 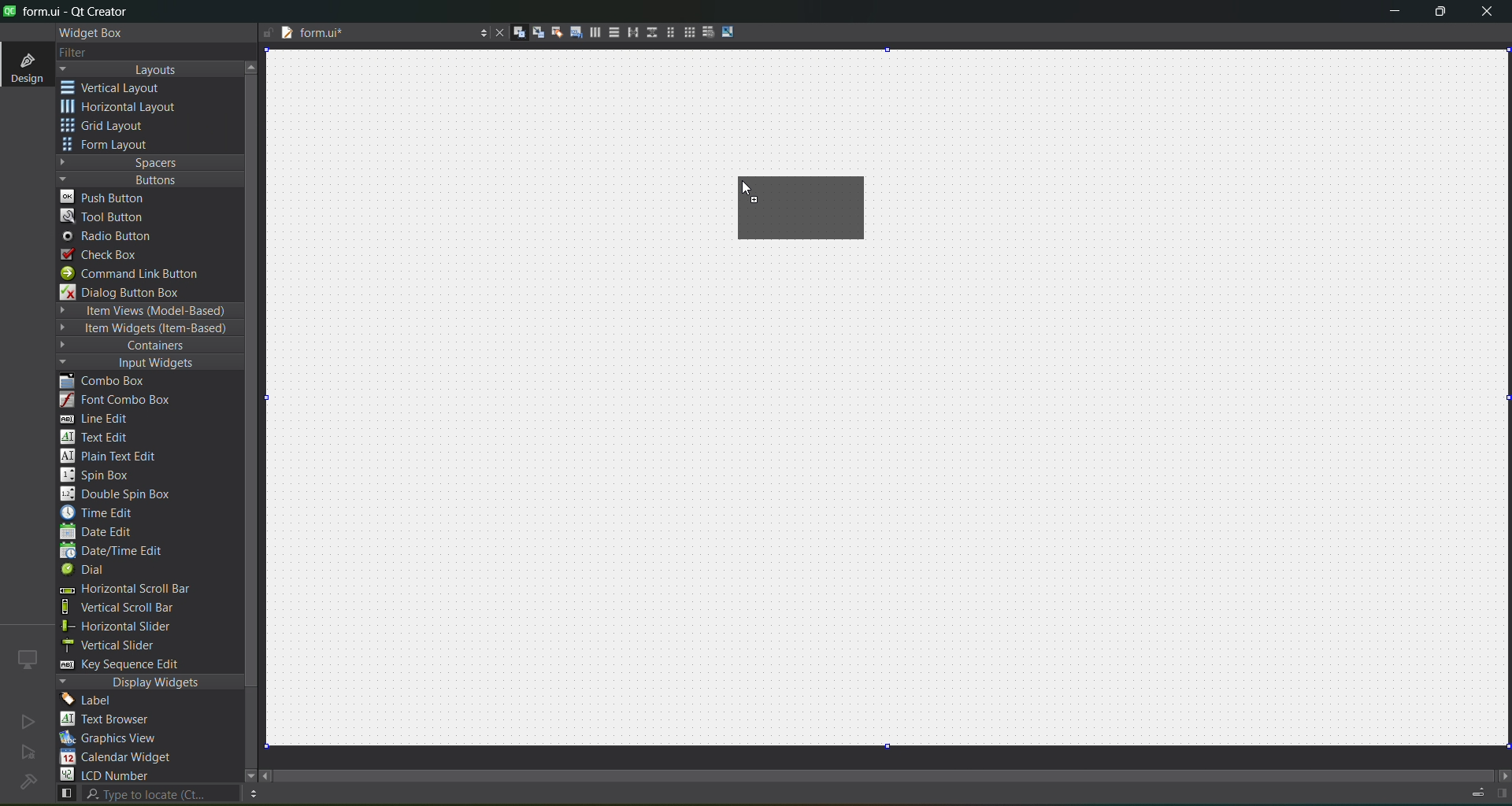 I want to click on filter, so click(x=85, y=54).